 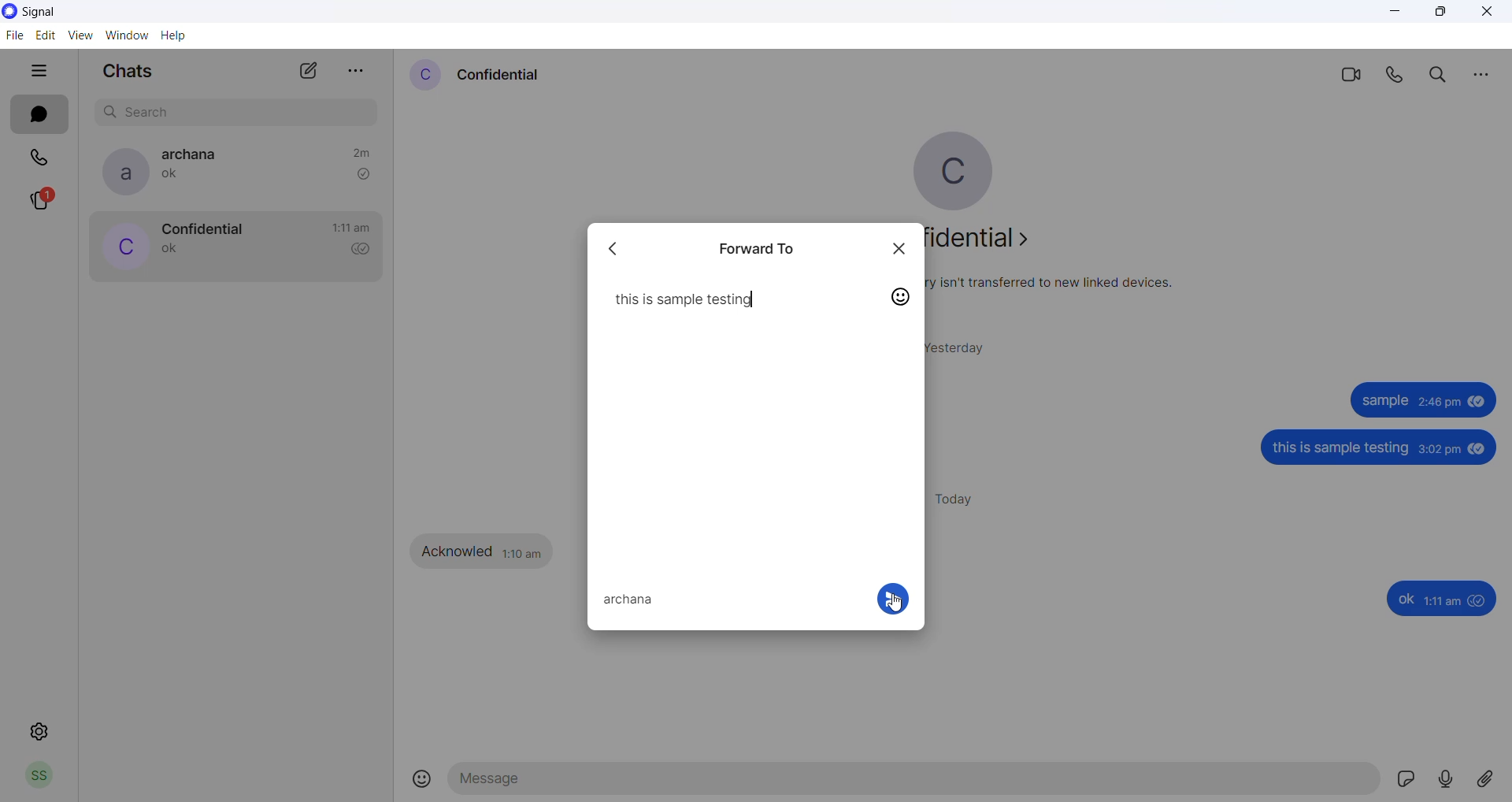 I want to click on last message time, so click(x=351, y=228).